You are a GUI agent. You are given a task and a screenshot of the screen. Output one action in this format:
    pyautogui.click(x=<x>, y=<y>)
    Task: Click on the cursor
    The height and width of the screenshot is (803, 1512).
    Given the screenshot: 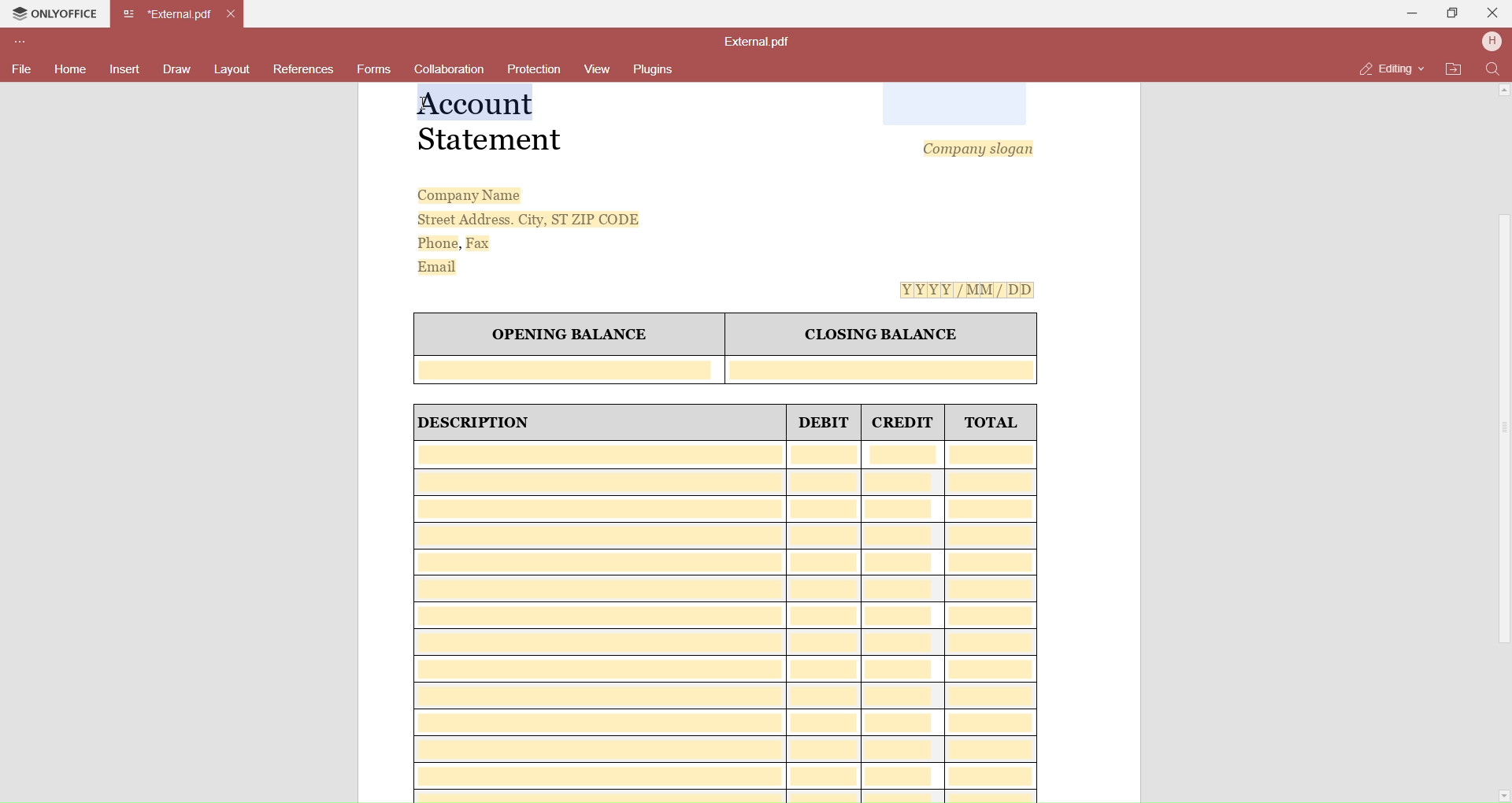 What is the action you would take?
    pyautogui.click(x=425, y=105)
    